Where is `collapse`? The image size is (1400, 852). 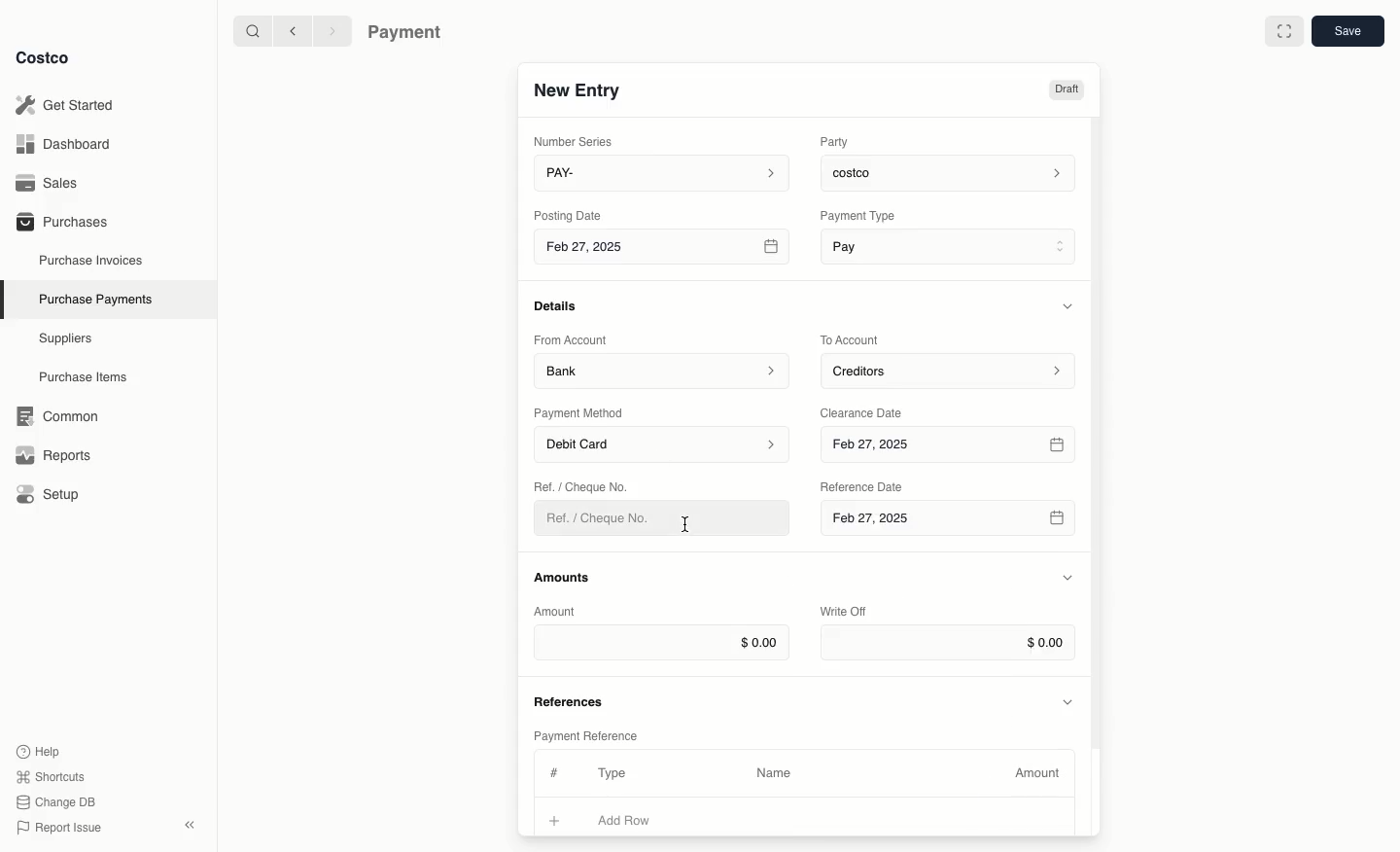 collapse is located at coordinates (189, 825).